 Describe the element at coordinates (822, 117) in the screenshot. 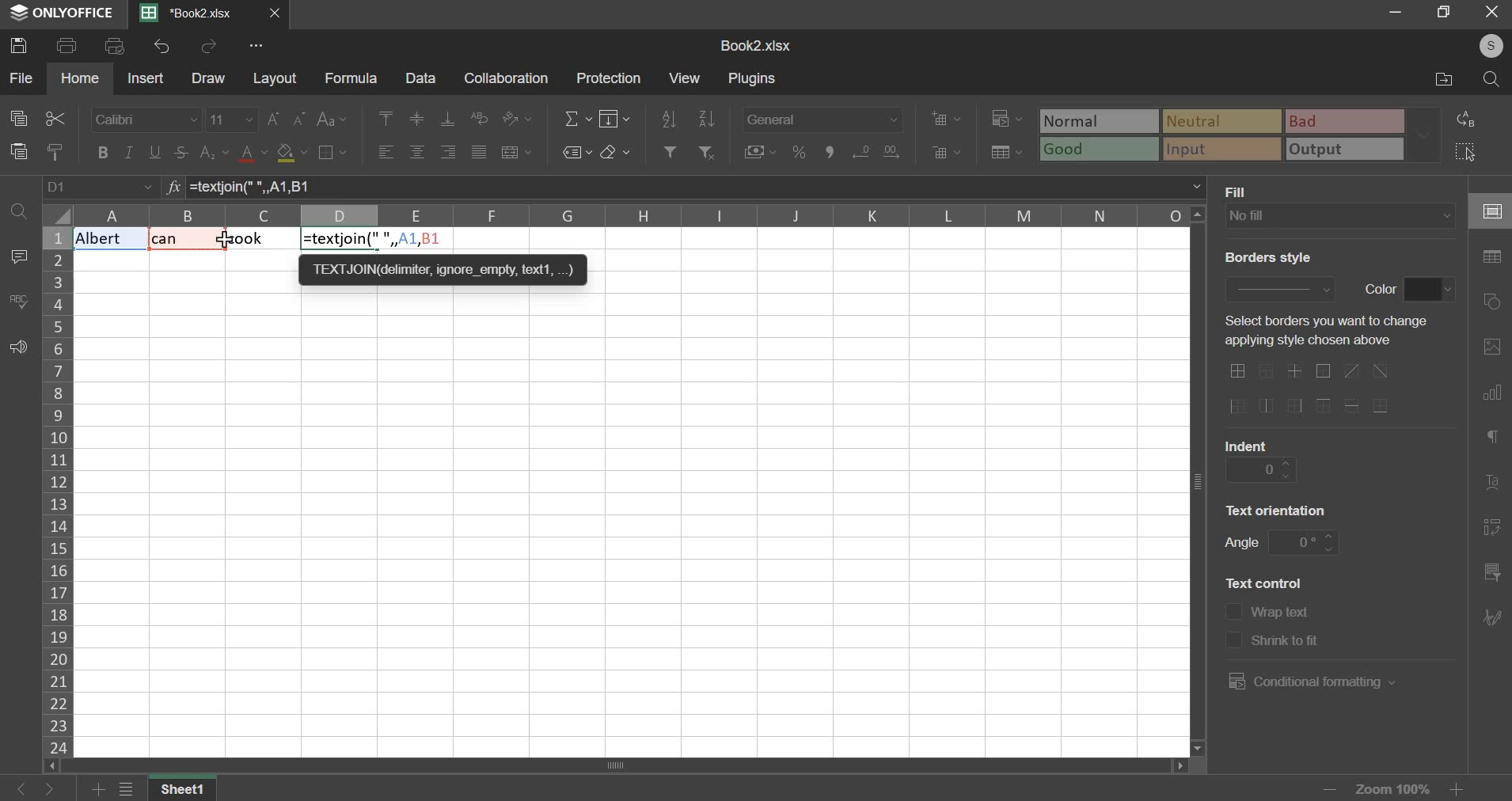

I see `number format` at that location.